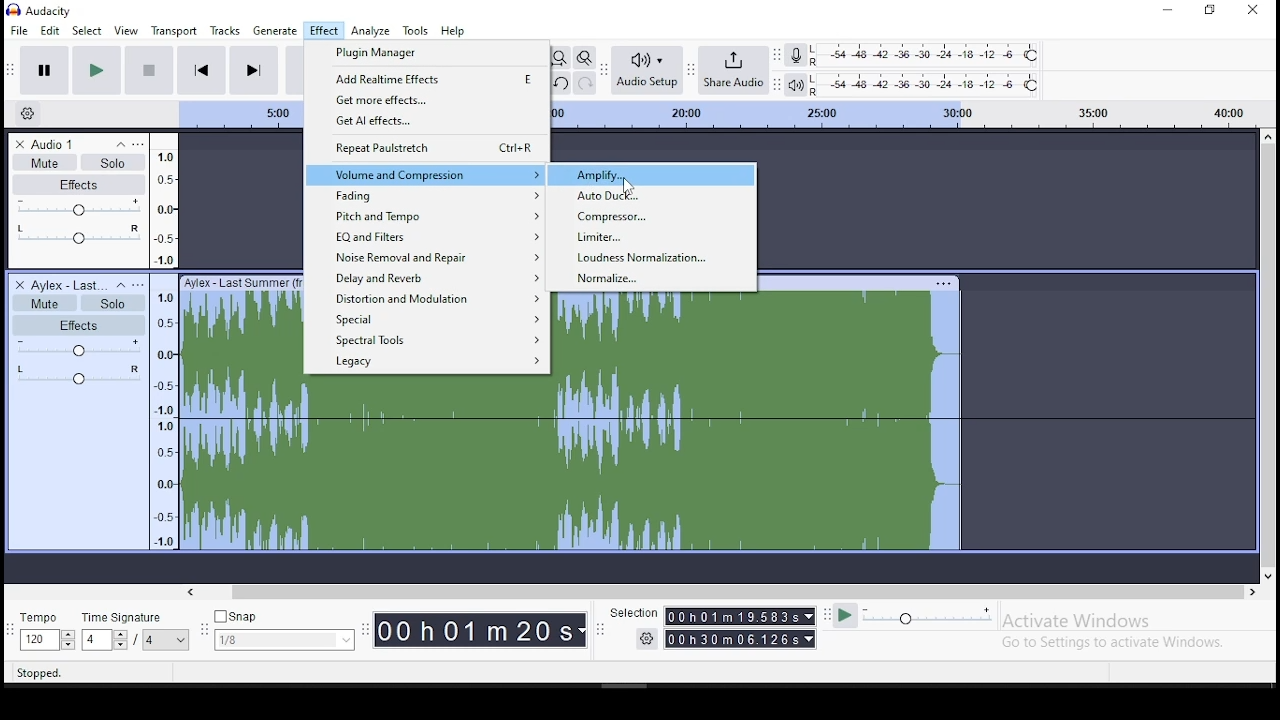  Describe the element at coordinates (428, 197) in the screenshot. I see `fading` at that location.